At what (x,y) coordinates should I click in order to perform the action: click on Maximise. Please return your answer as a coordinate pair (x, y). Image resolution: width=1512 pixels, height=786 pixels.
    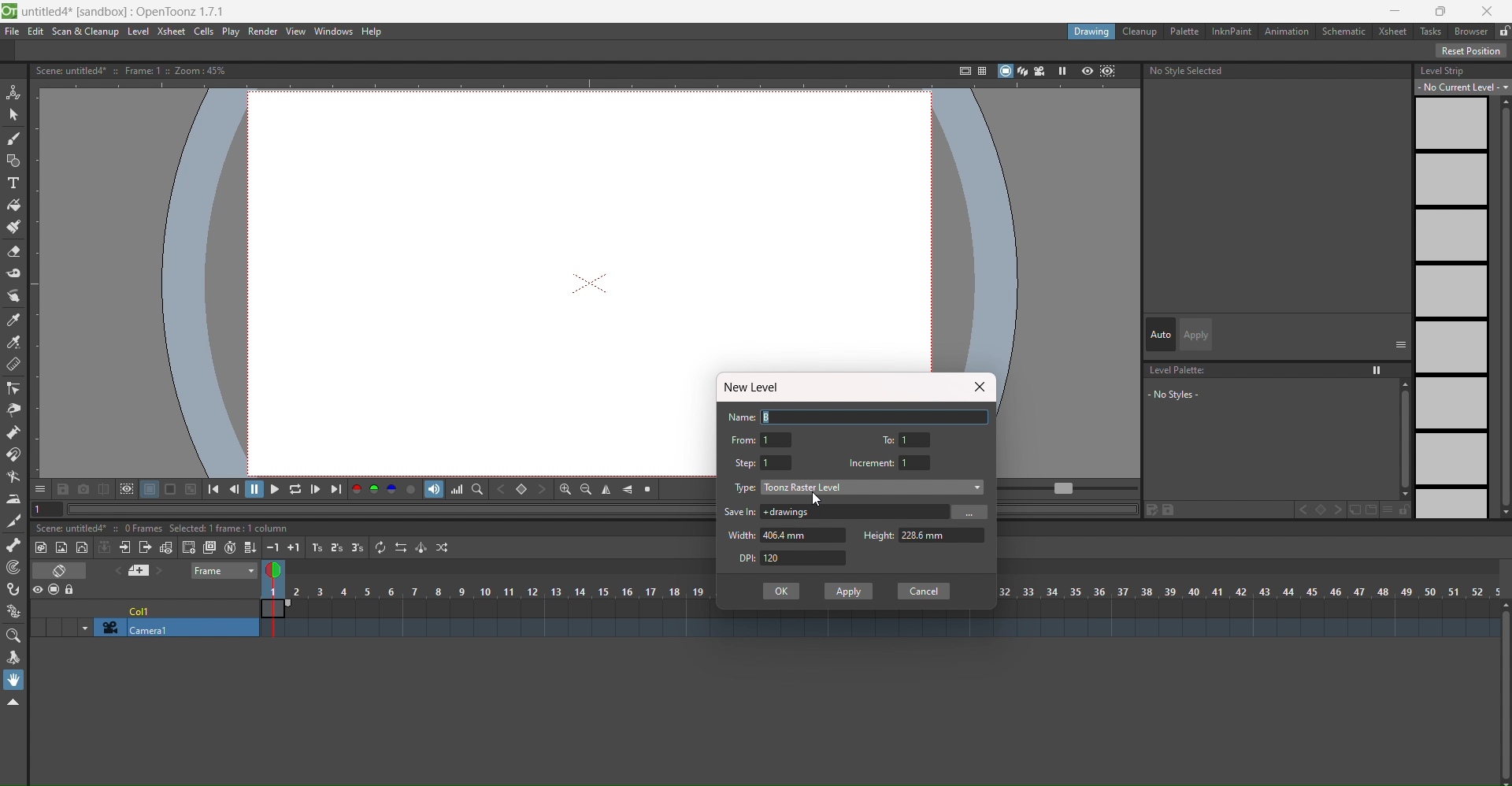
    Looking at the image, I should click on (1443, 11).